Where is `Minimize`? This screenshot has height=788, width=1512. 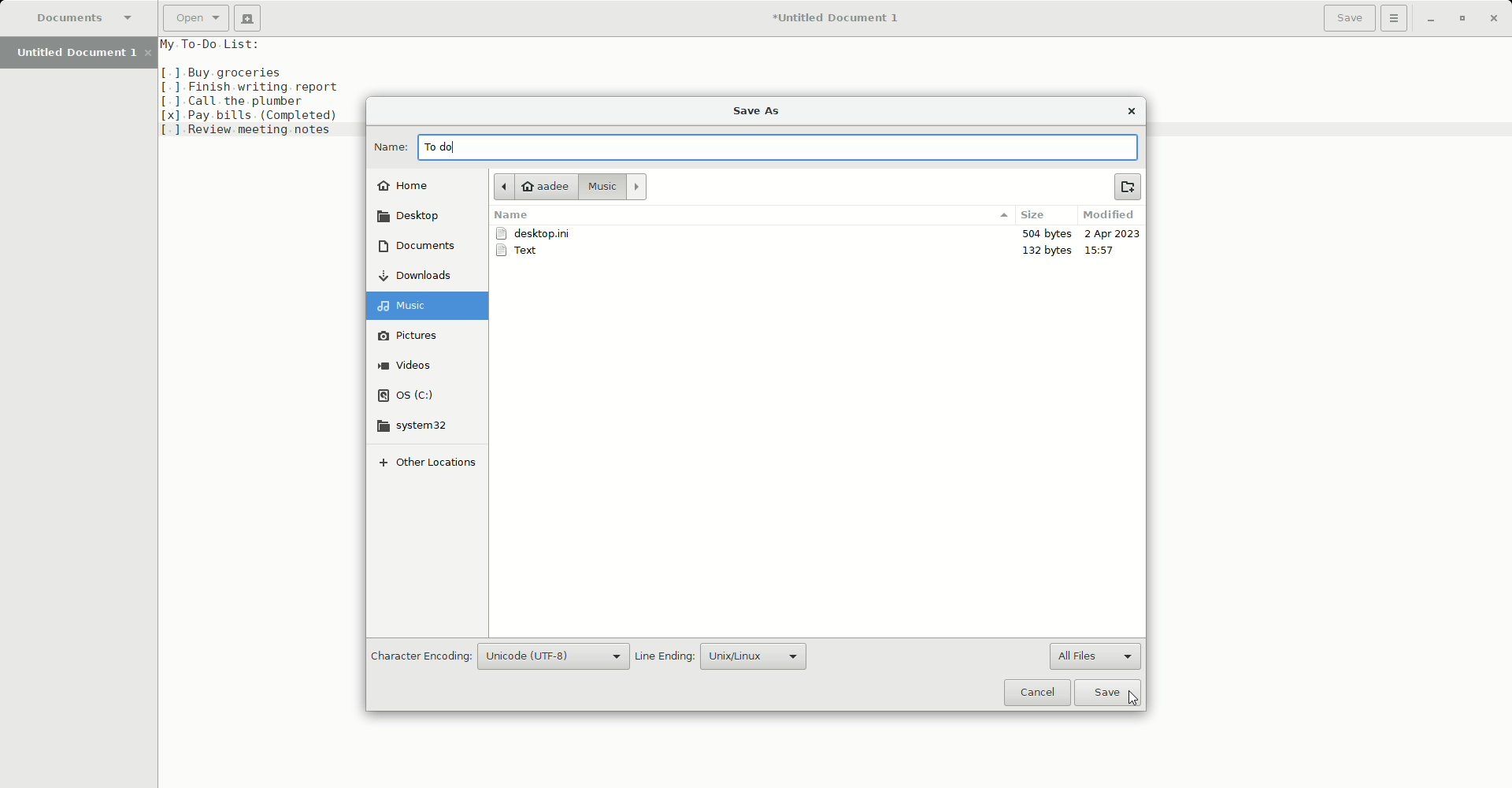 Minimize is located at coordinates (1432, 19).